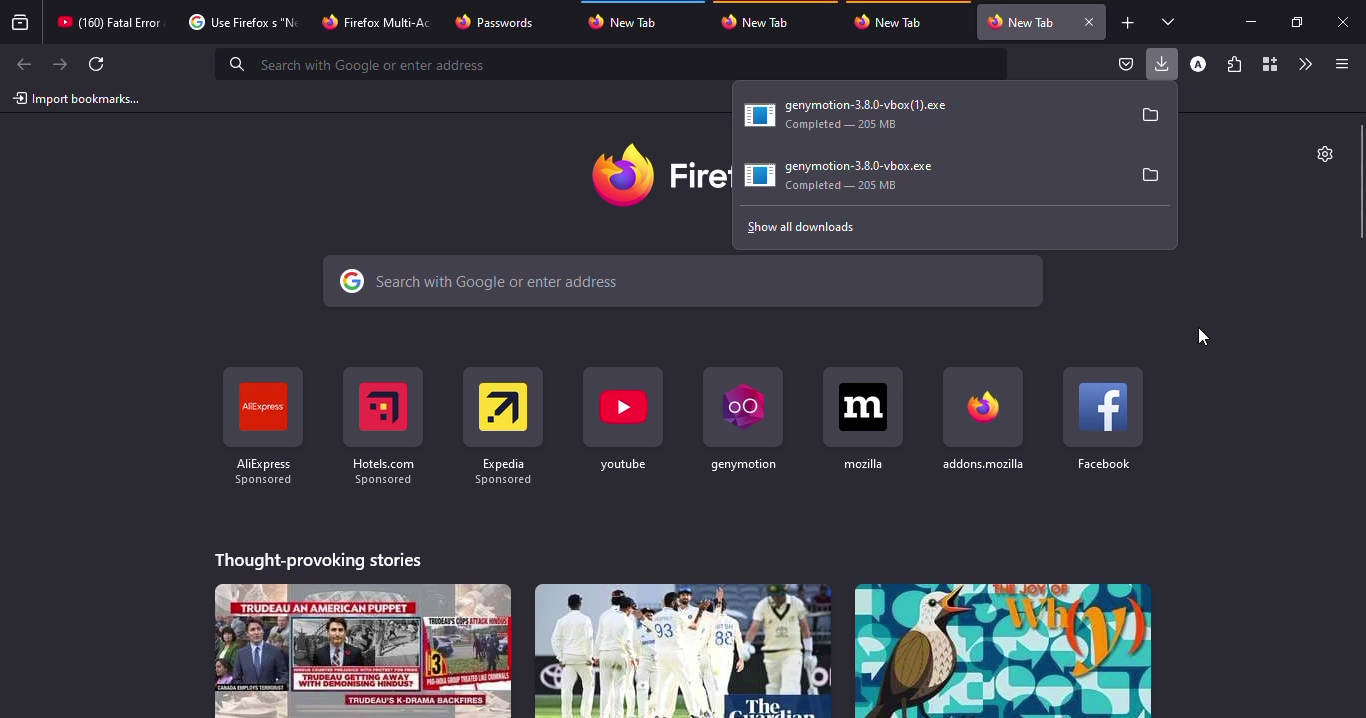 This screenshot has height=718, width=1366. Describe the element at coordinates (1203, 336) in the screenshot. I see `cursor` at that location.